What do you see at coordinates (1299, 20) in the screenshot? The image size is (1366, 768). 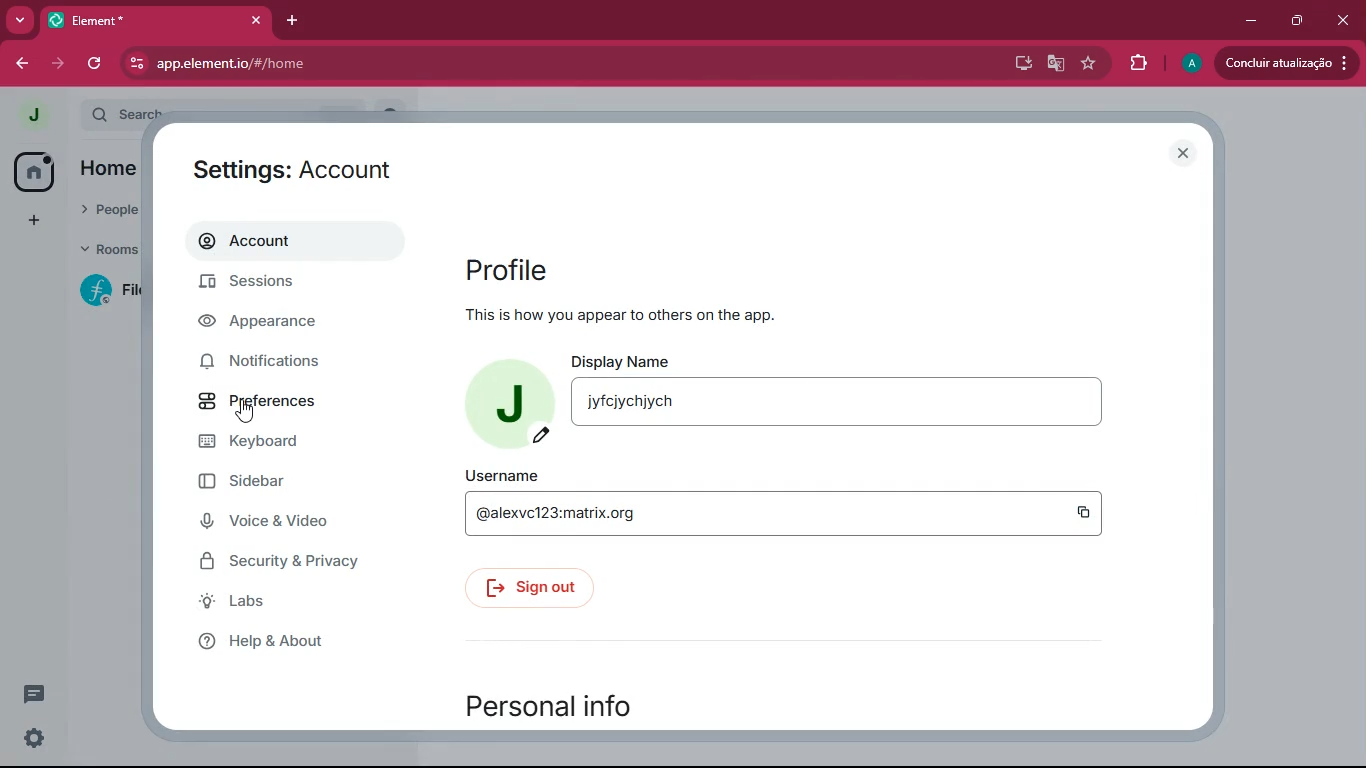 I see `restore down` at bounding box center [1299, 20].